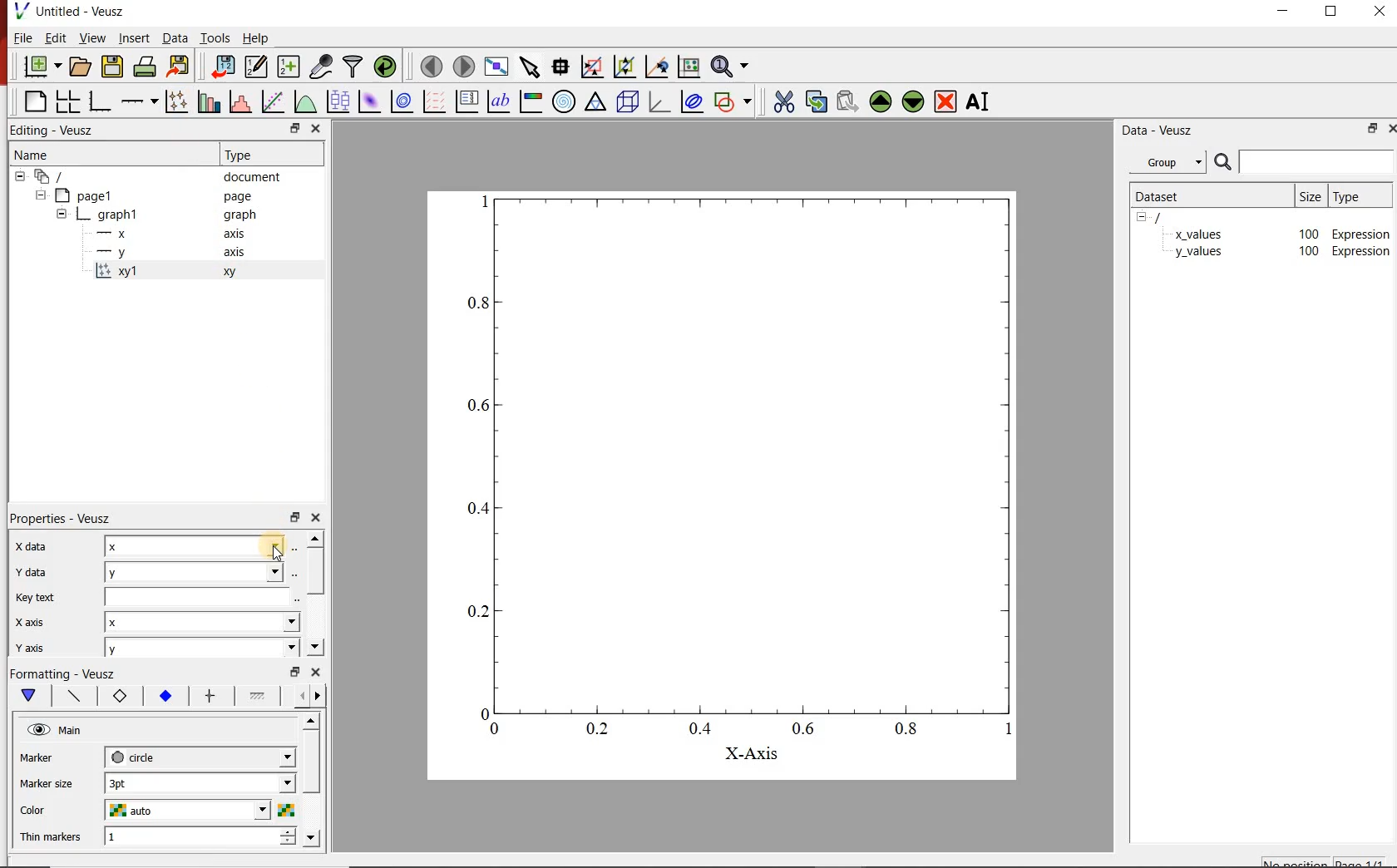 The image size is (1397, 868). Describe the element at coordinates (815, 102) in the screenshot. I see `copy the selected widget` at that location.